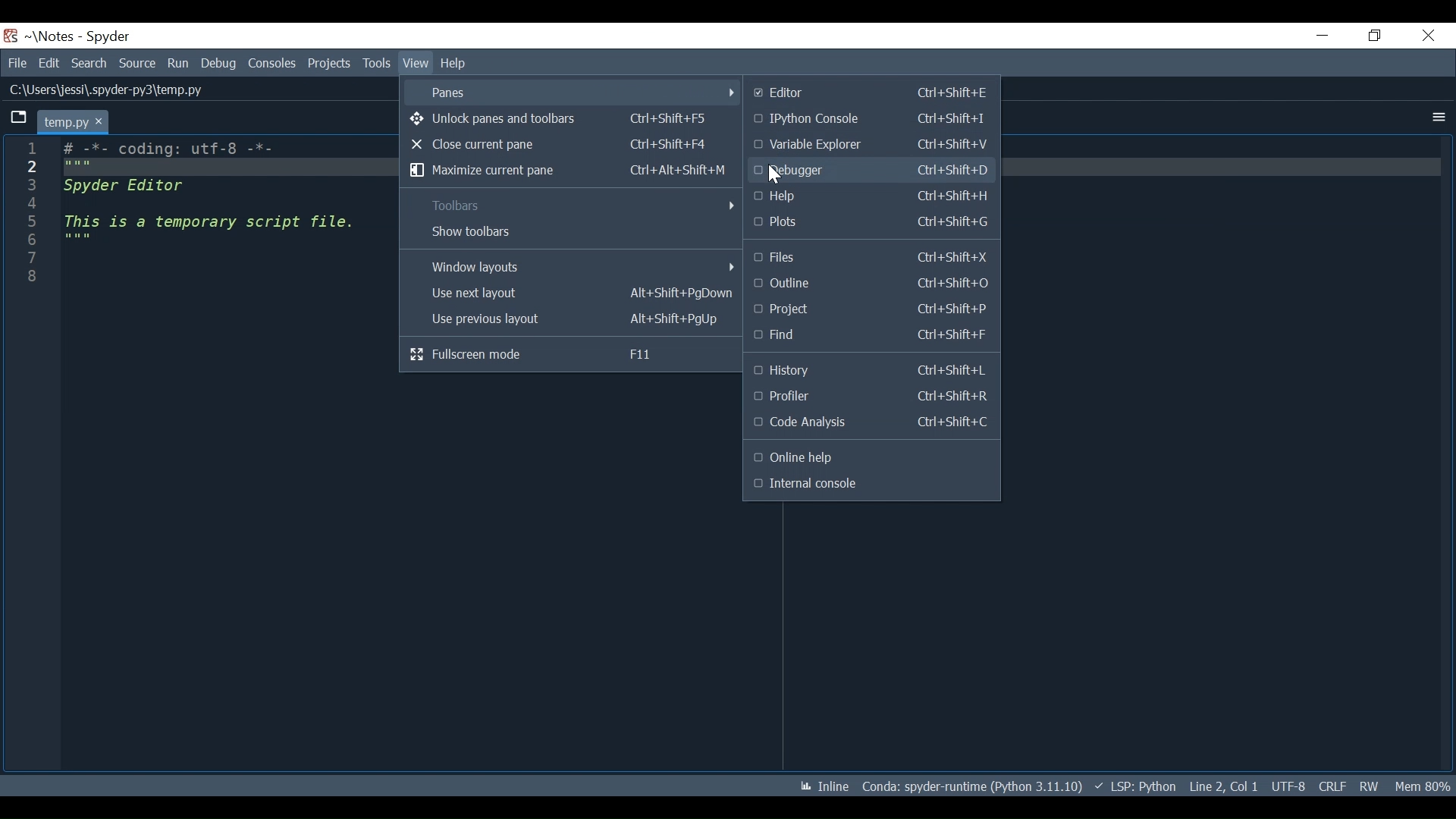 The image size is (1456, 819). What do you see at coordinates (455, 62) in the screenshot?
I see `Help` at bounding box center [455, 62].